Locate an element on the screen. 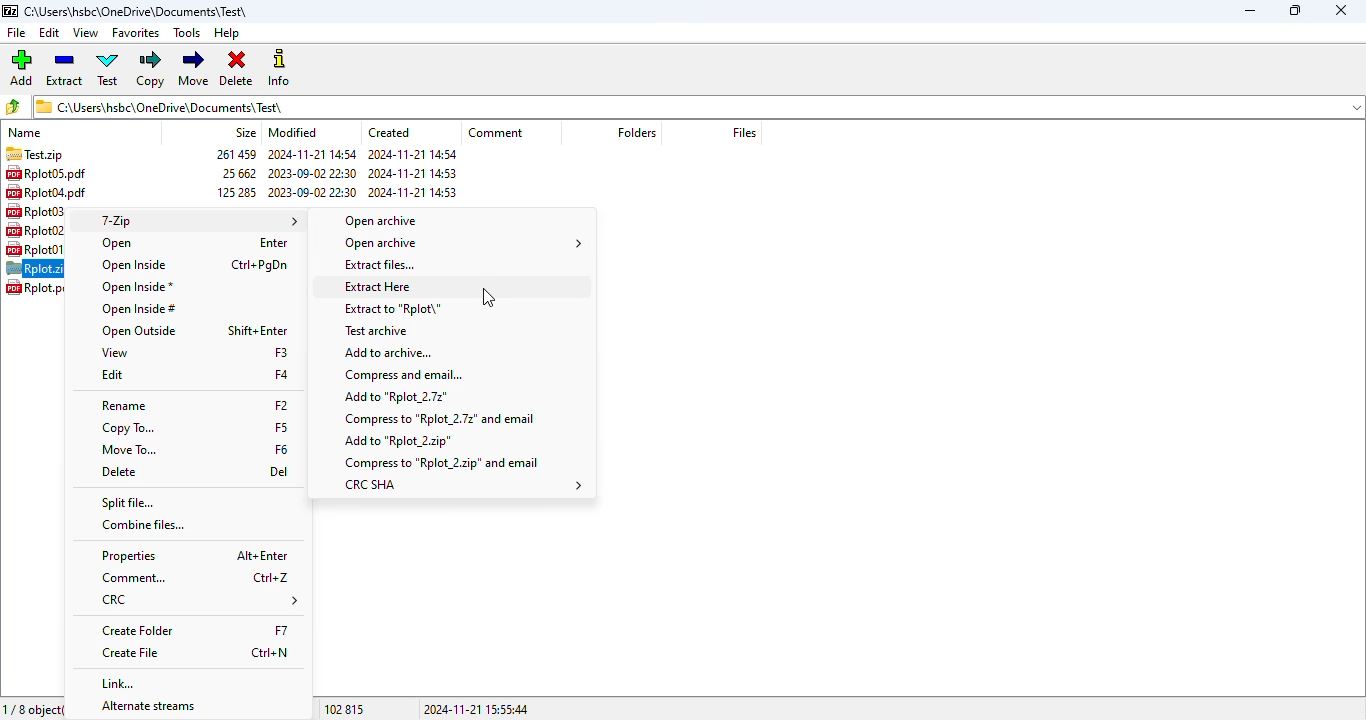 This screenshot has width=1366, height=720. link is located at coordinates (119, 682).